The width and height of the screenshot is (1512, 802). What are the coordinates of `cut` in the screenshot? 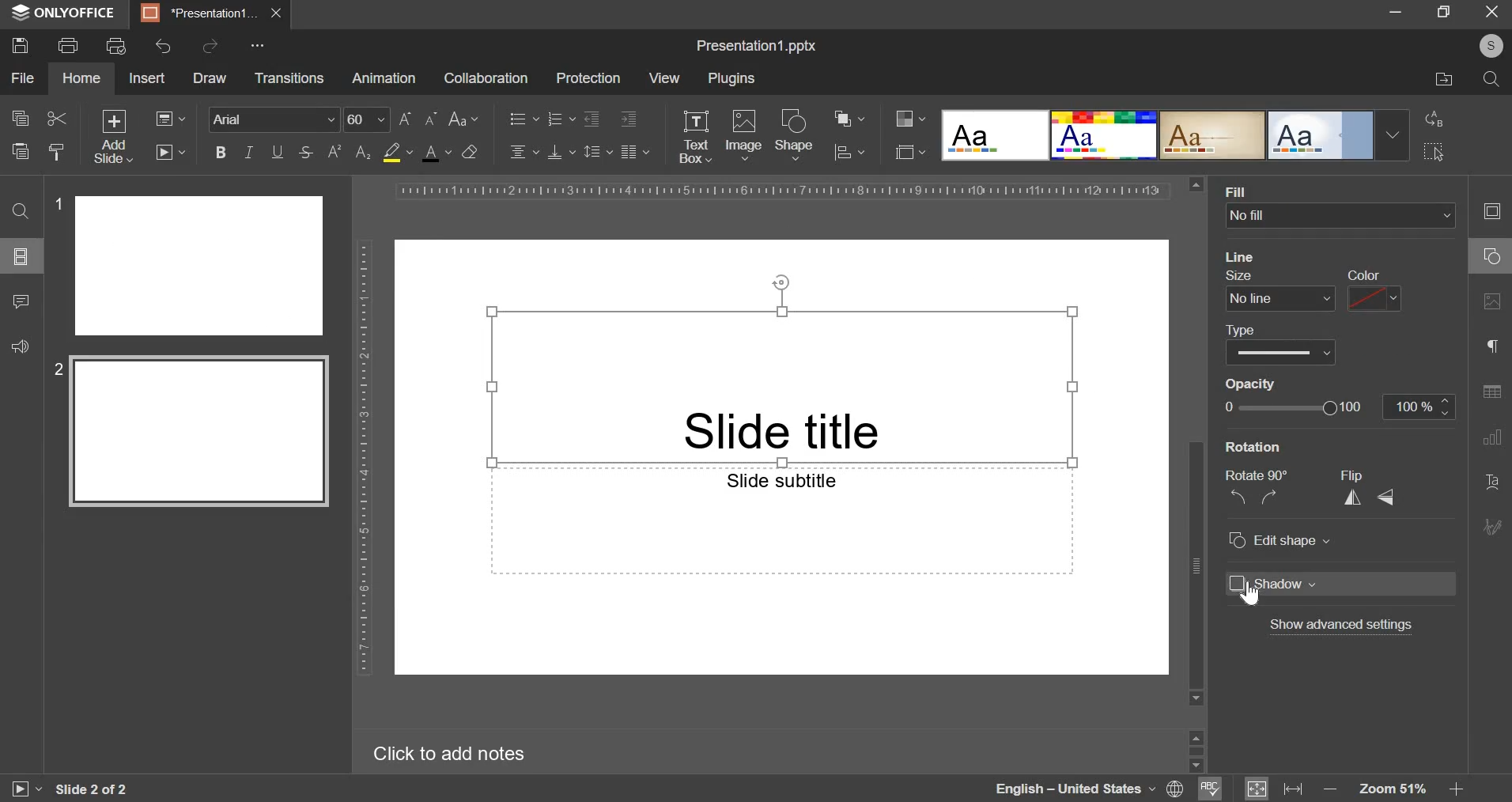 It's located at (58, 119).